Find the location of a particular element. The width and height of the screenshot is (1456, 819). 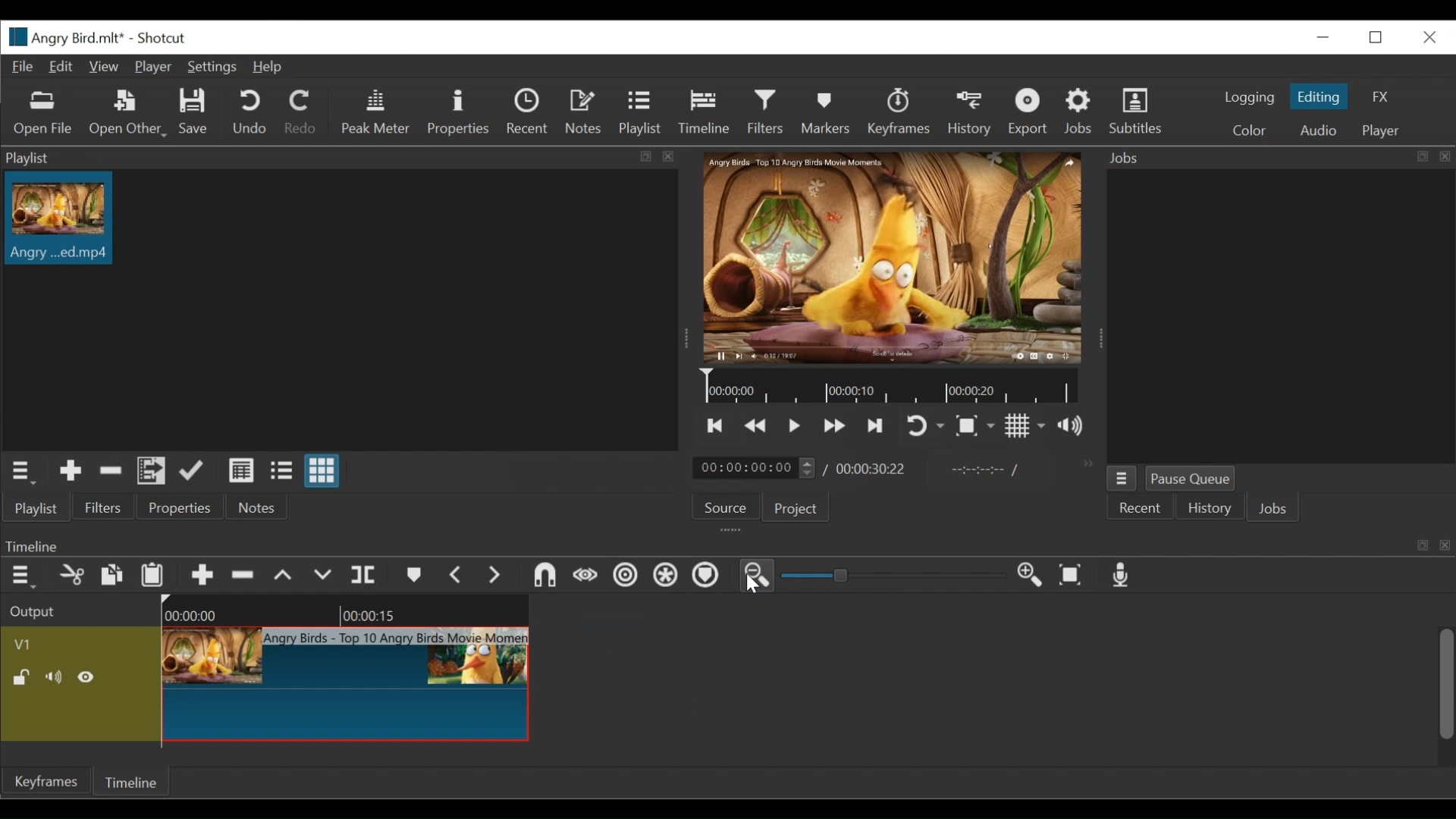

Recent is located at coordinates (527, 111).